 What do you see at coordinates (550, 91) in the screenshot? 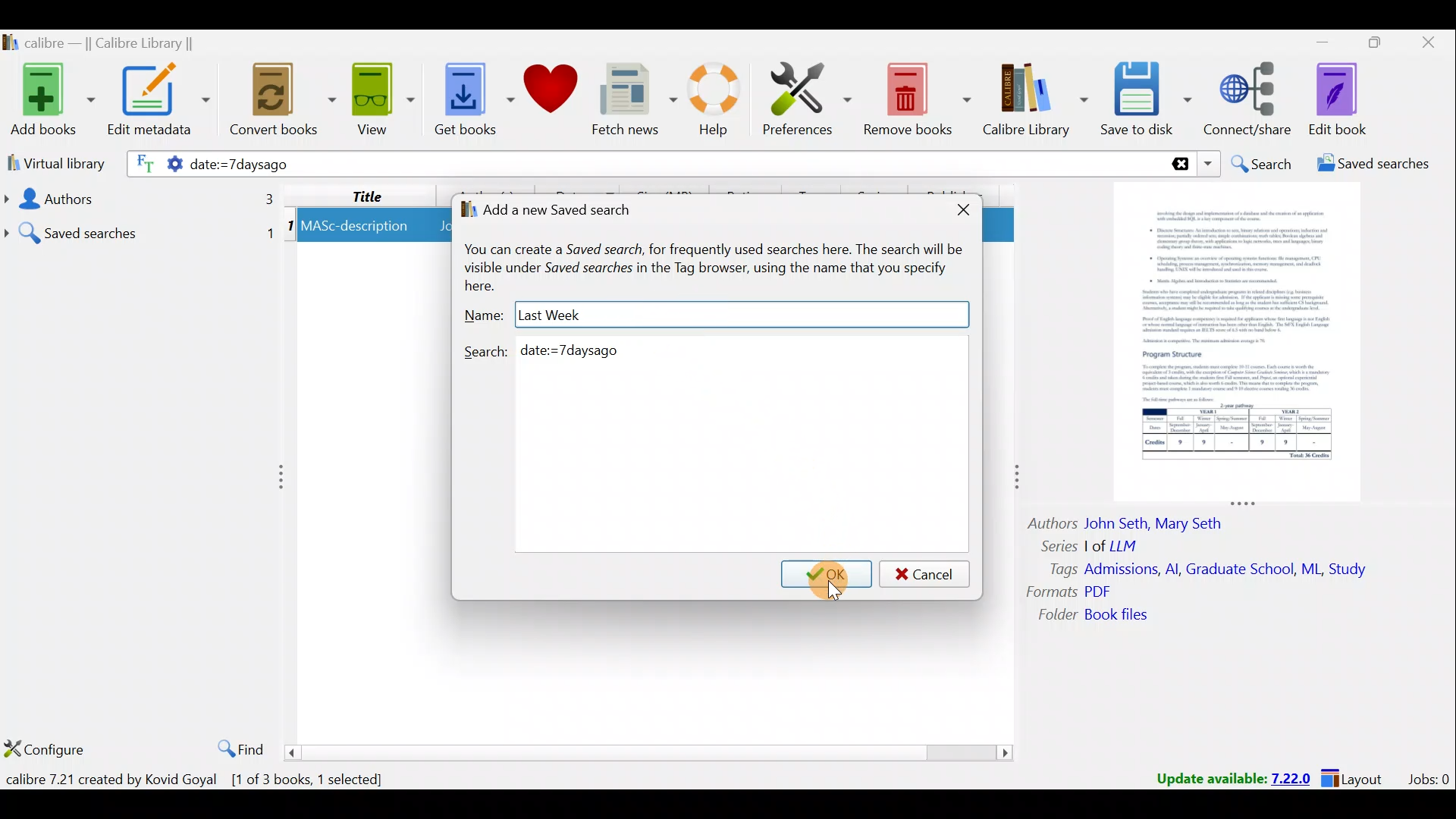
I see `Donate` at bounding box center [550, 91].